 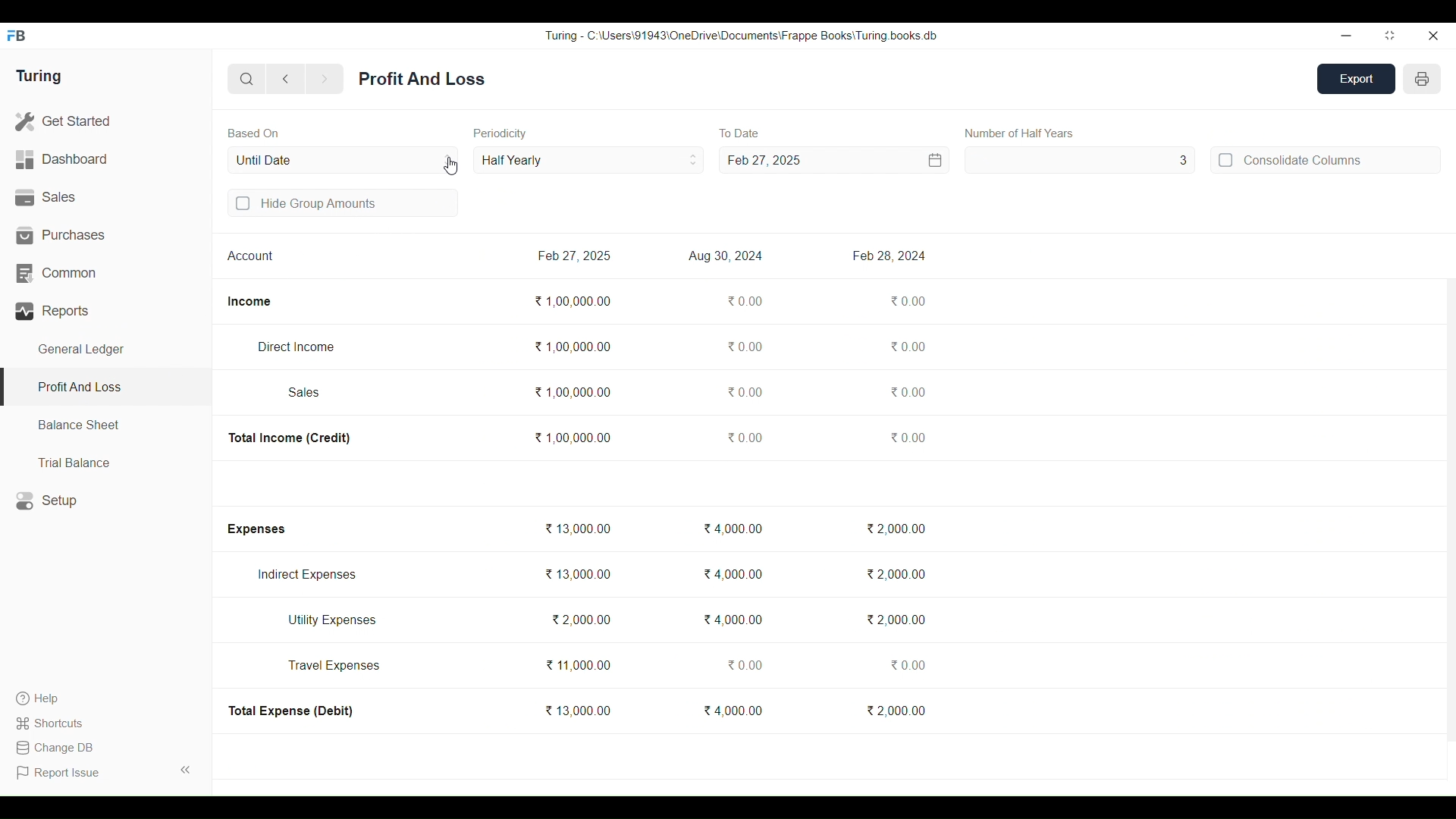 I want to click on 4,000.00, so click(x=733, y=574).